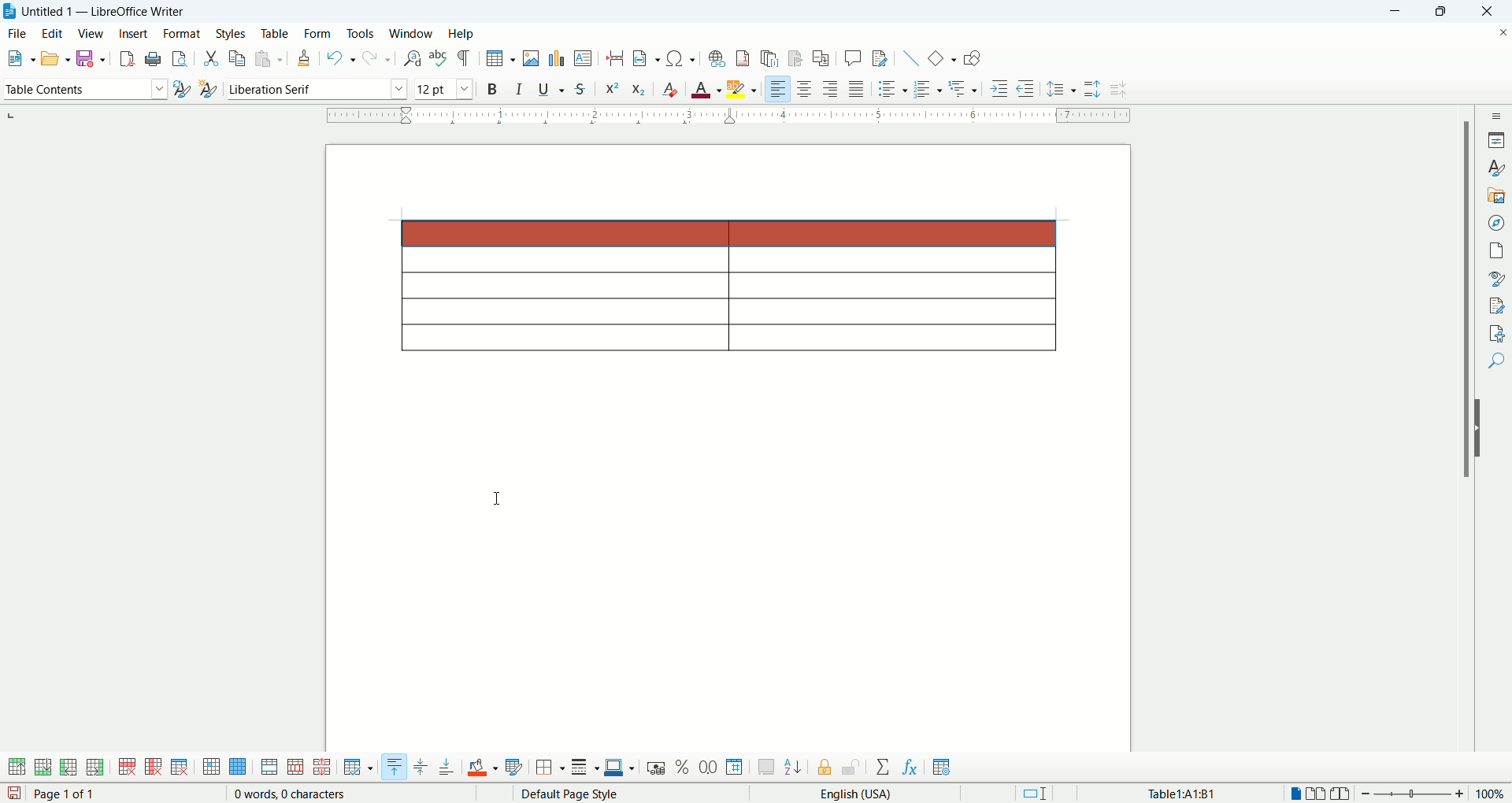 This screenshot has height=803, width=1512. I want to click on split table, so click(321, 768).